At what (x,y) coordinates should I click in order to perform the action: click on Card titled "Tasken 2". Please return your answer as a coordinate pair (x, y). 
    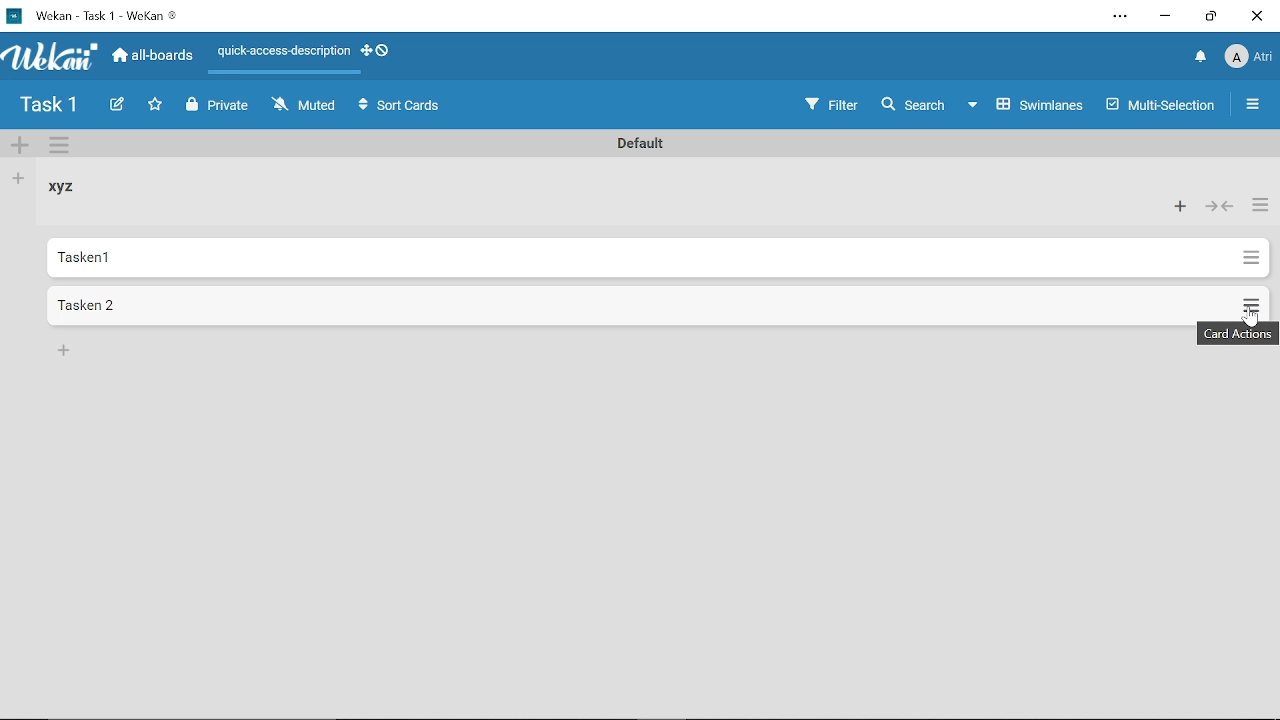
    Looking at the image, I should click on (637, 304).